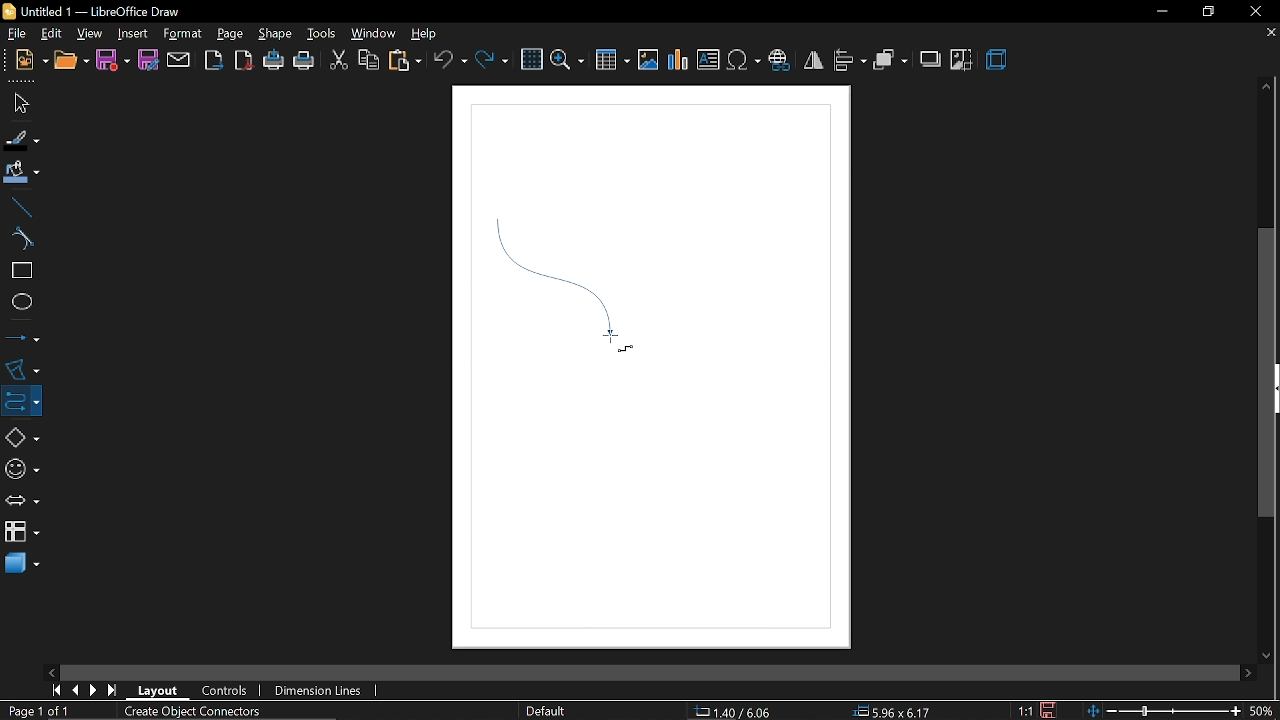  I want to click on line, so click(18, 205).